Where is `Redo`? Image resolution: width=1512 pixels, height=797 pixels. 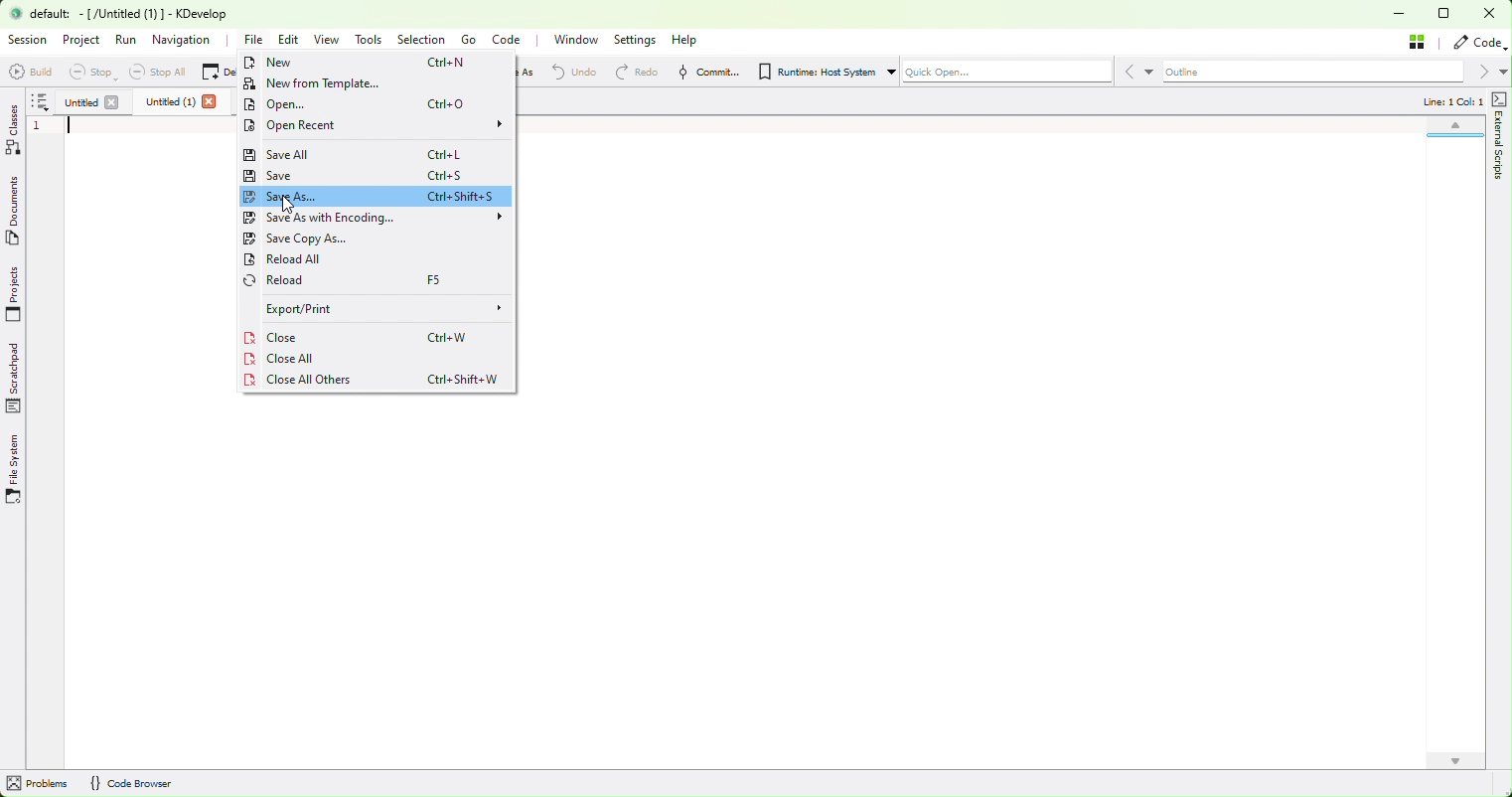
Redo is located at coordinates (567, 72).